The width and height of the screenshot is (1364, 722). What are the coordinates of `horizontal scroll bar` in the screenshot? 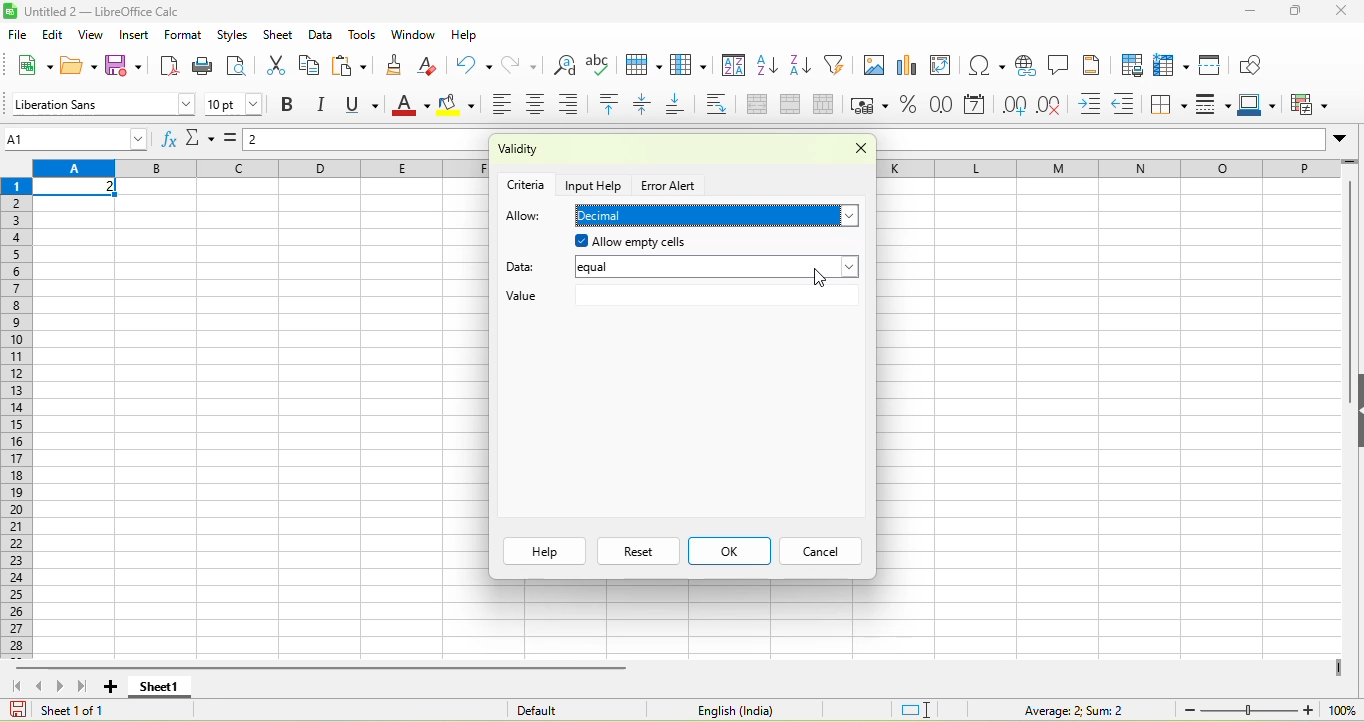 It's located at (324, 667).